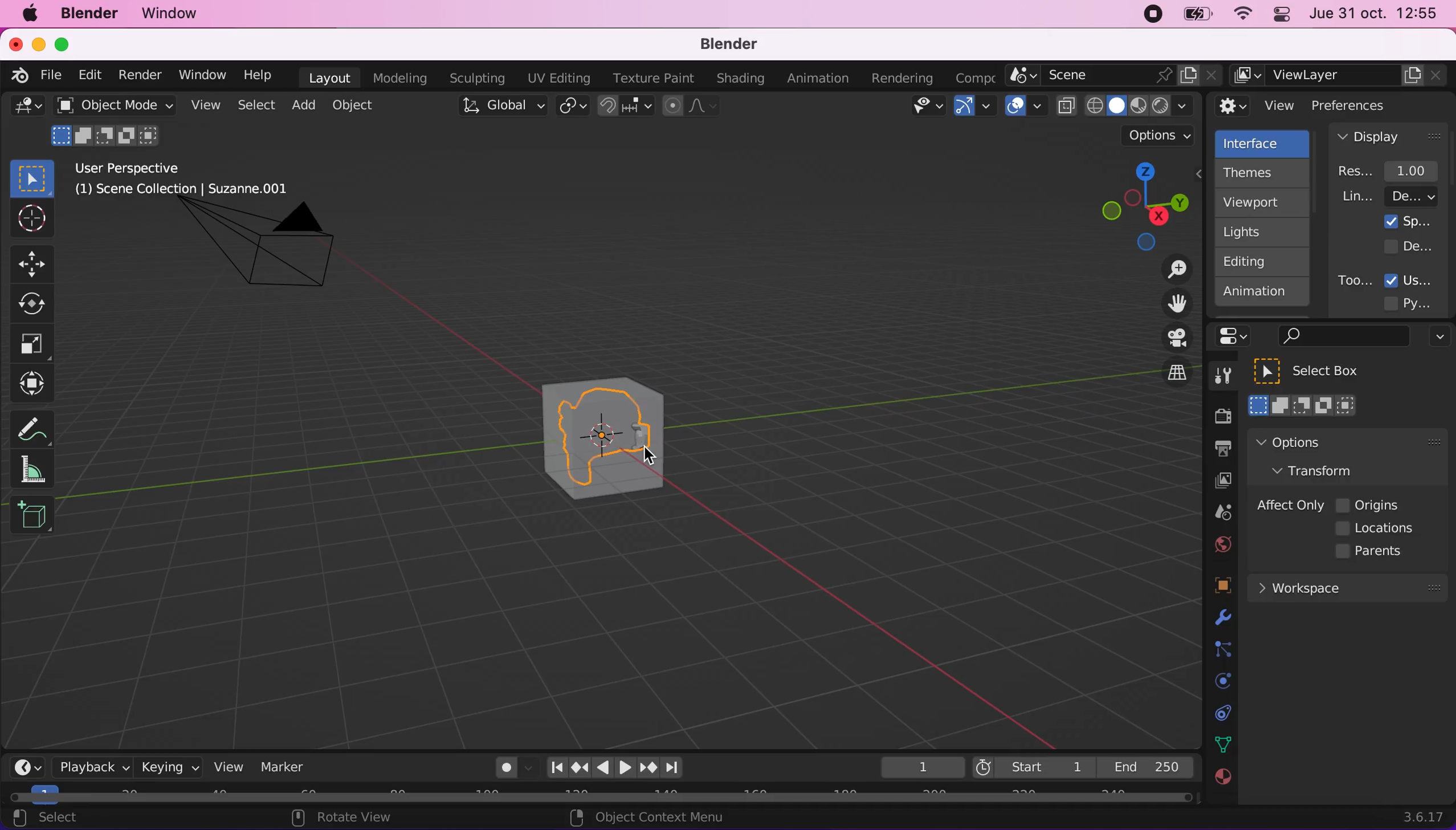 The image size is (1456, 830). Describe the element at coordinates (1220, 713) in the screenshot. I see `collection` at that location.